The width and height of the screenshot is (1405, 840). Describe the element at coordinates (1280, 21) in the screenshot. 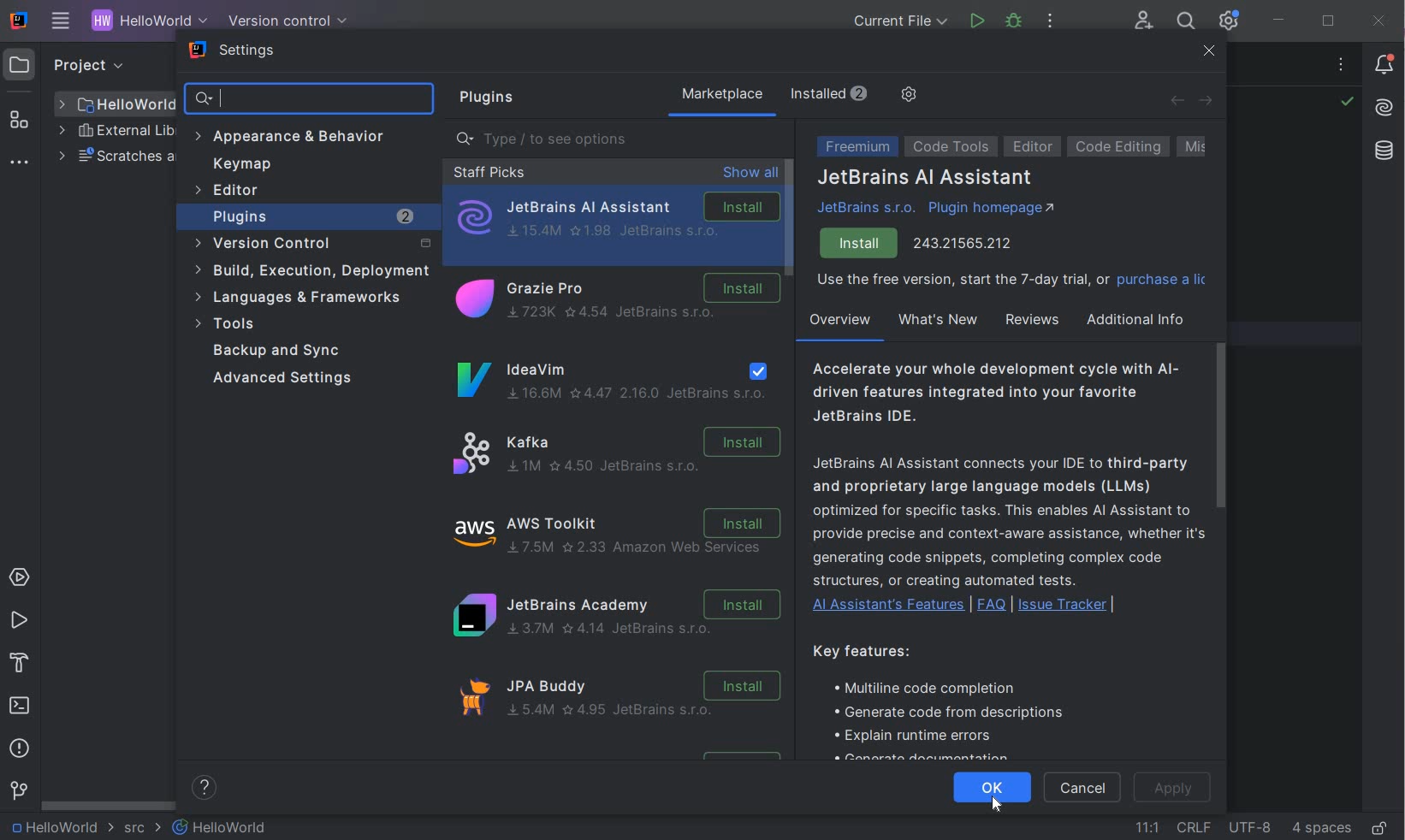

I see `minimize` at that location.